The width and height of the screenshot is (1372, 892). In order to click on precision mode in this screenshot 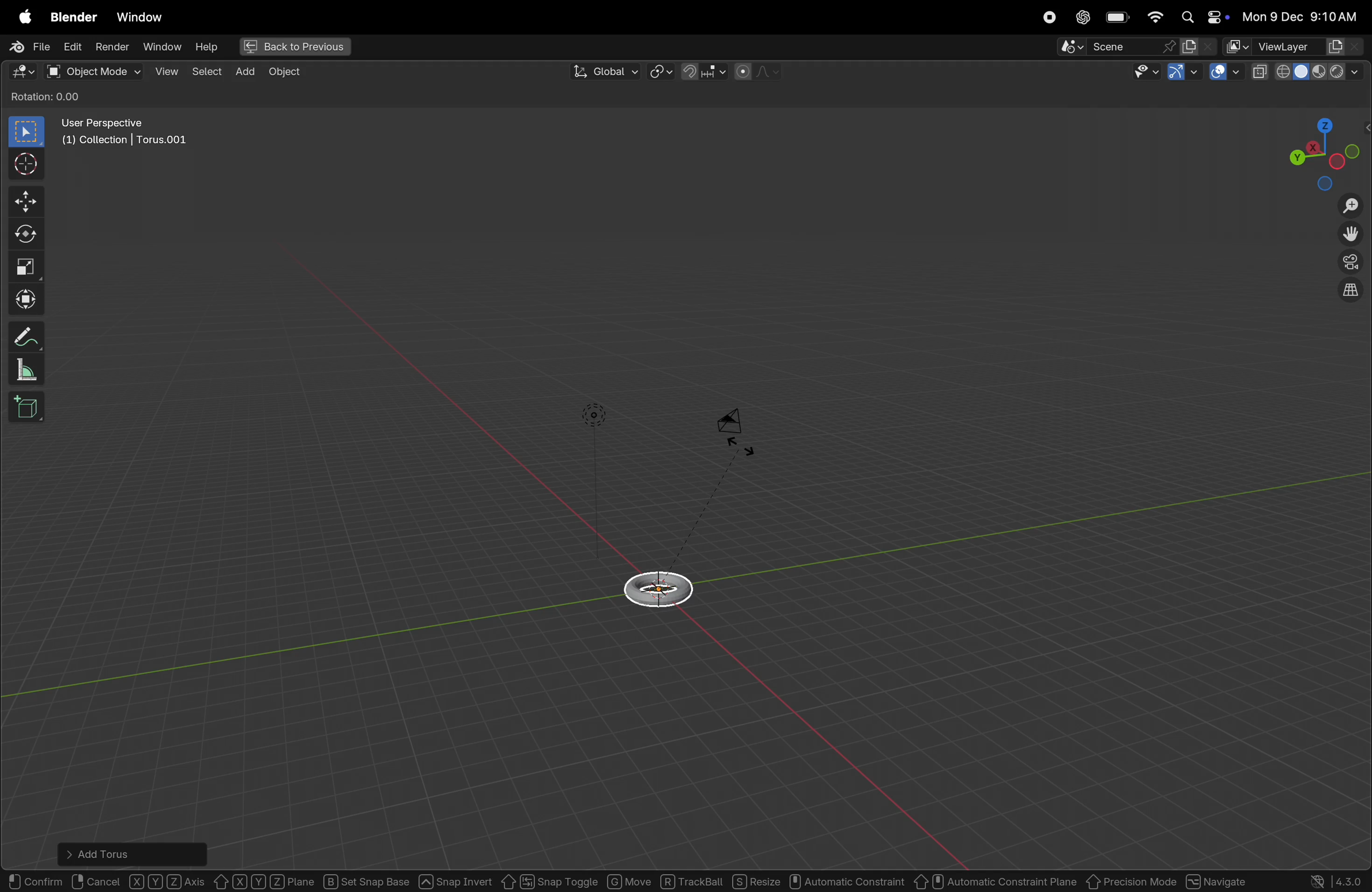, I will do `click(1132, 879)`.